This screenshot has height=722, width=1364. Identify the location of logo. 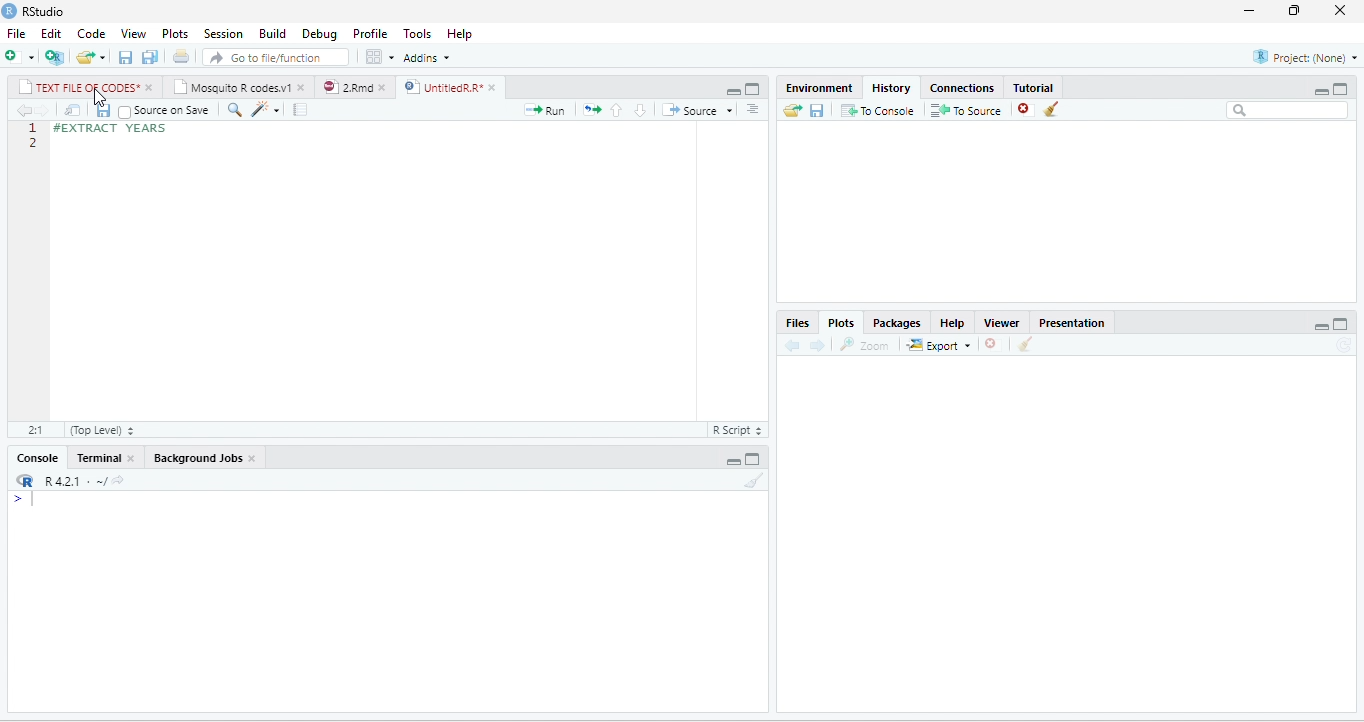
(10, 11).